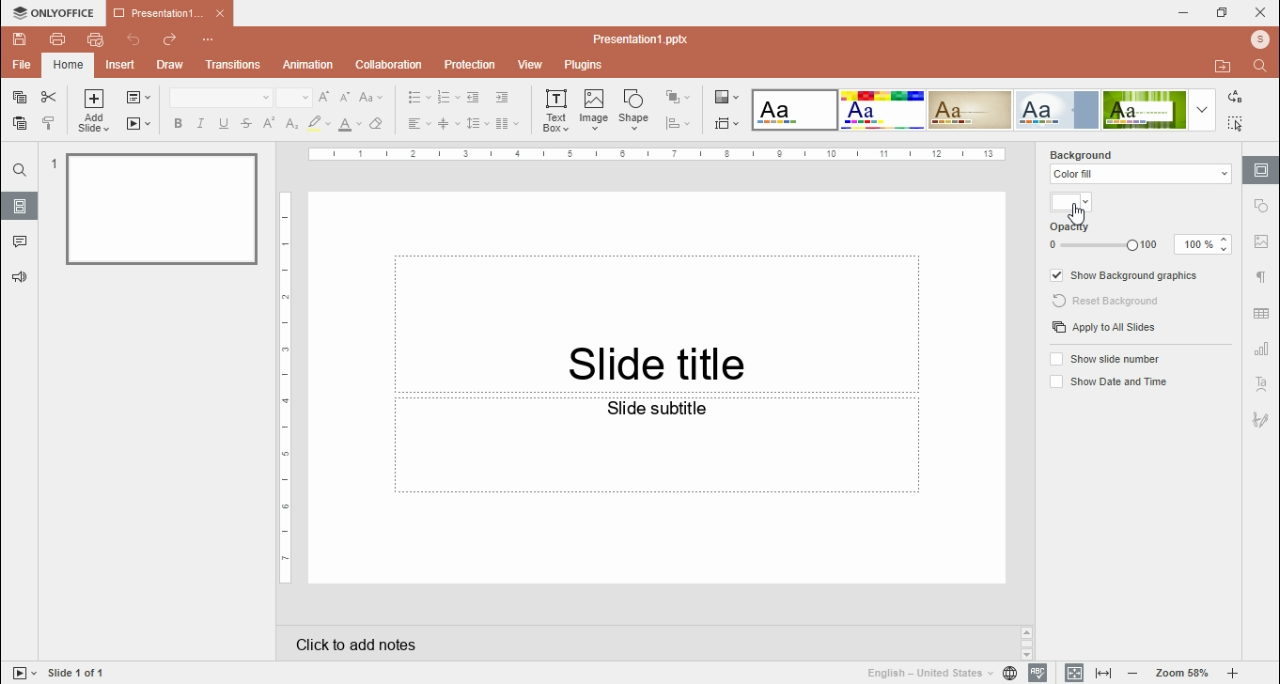 Image resolution: width=1280 pixels, height=684 pixels. Describe the element at coordinates (1262, 350) in the screenshot. I see `chart settings` at that location.